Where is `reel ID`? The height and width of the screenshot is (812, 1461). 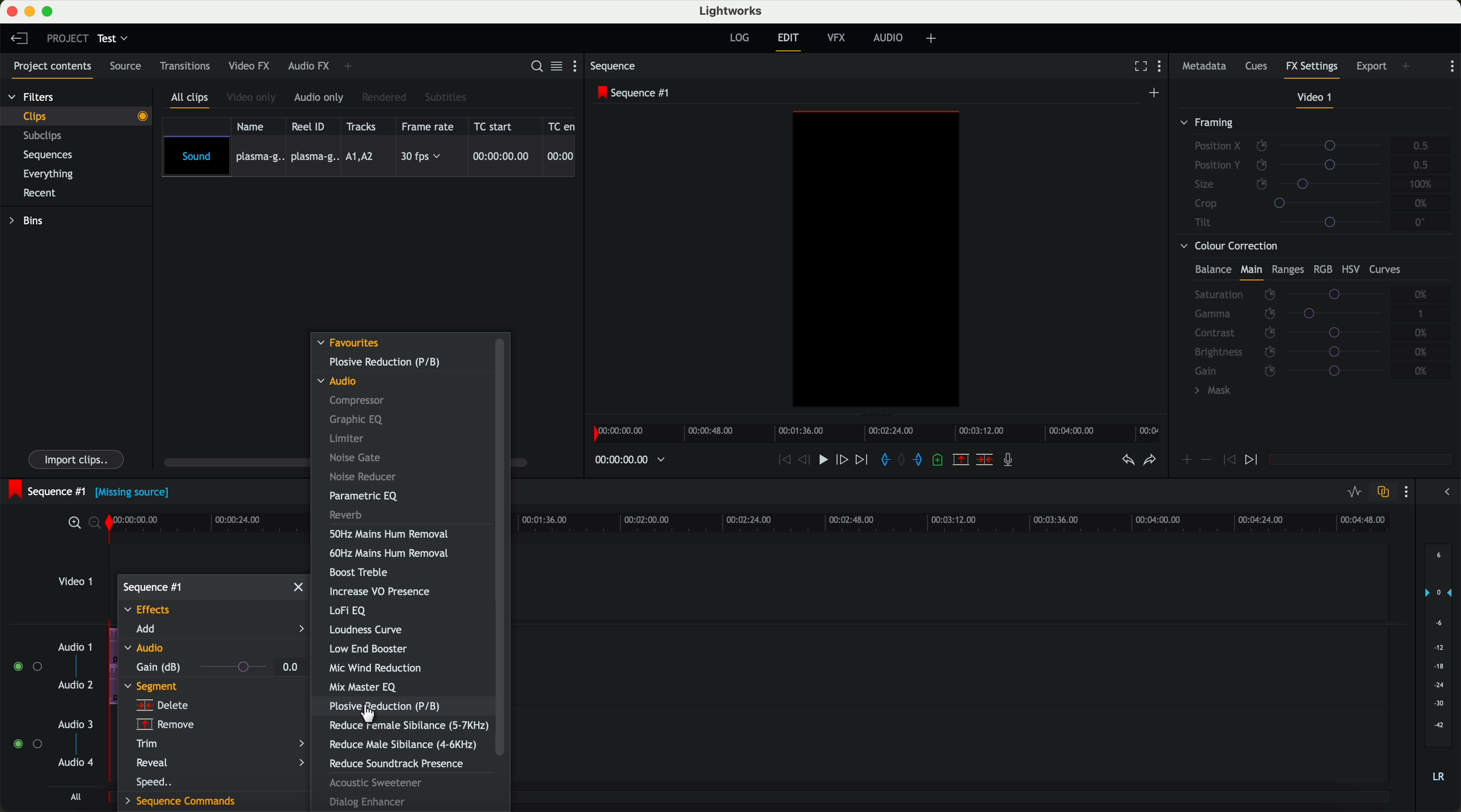 reel ID is located at coordinates (311, 126).